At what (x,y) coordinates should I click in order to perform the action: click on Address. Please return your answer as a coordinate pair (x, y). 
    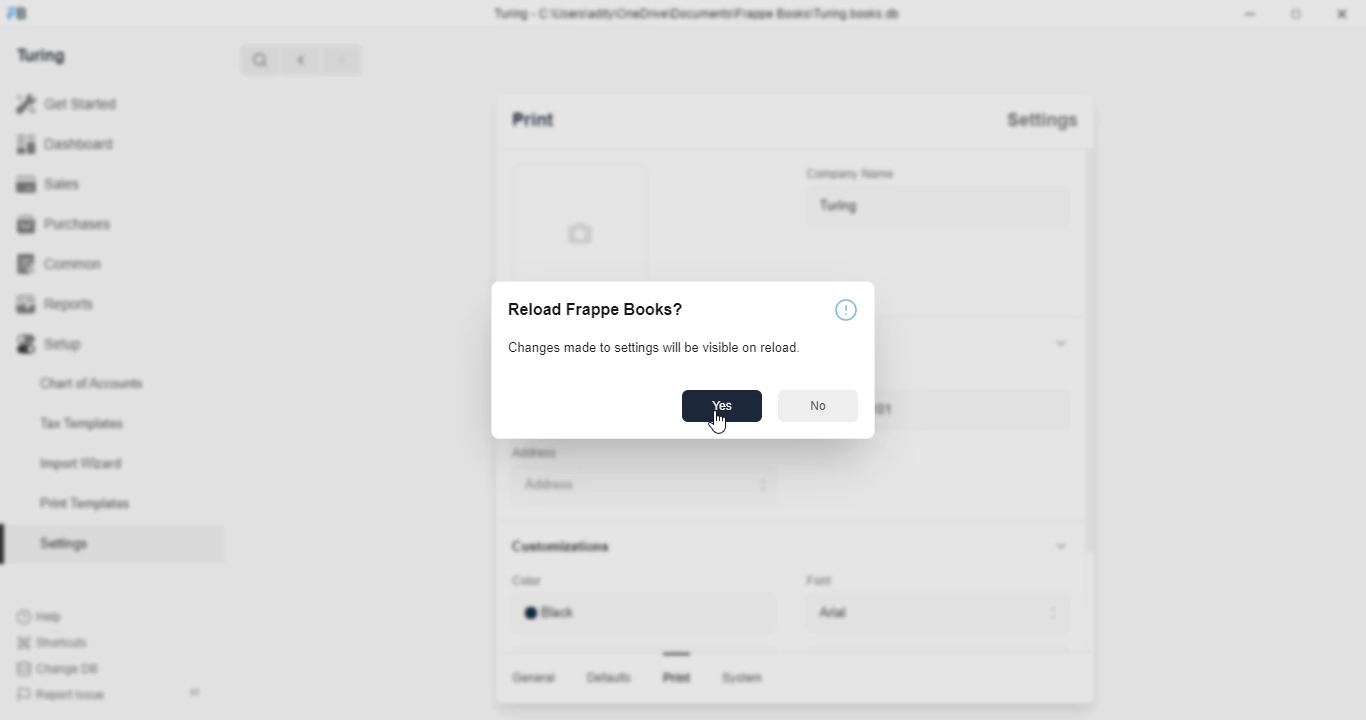
    Looking at the image, I should click on (638, 486).